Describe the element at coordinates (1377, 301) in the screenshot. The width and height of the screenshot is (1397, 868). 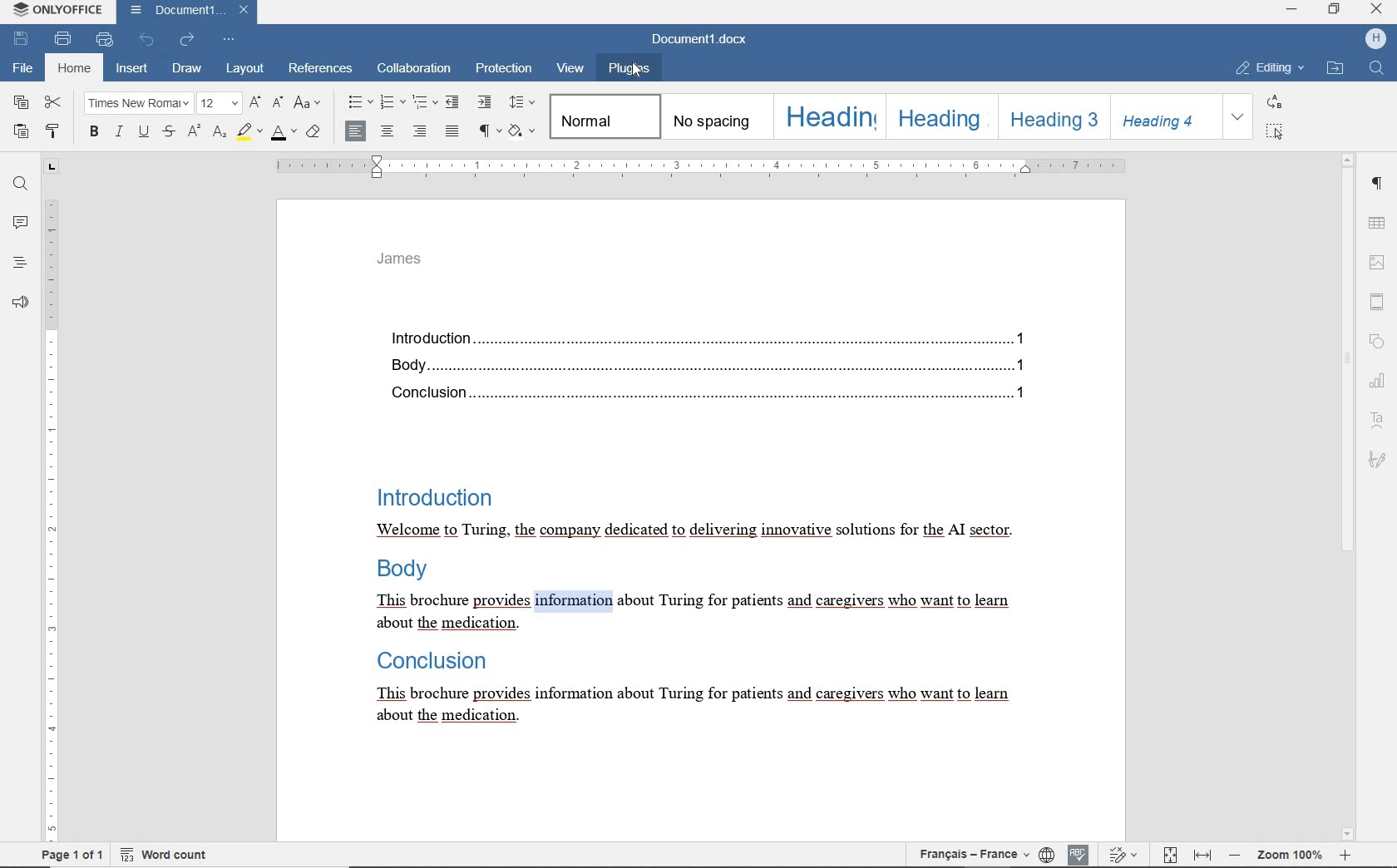
I see `HEADER AND FOOTER` at that location.